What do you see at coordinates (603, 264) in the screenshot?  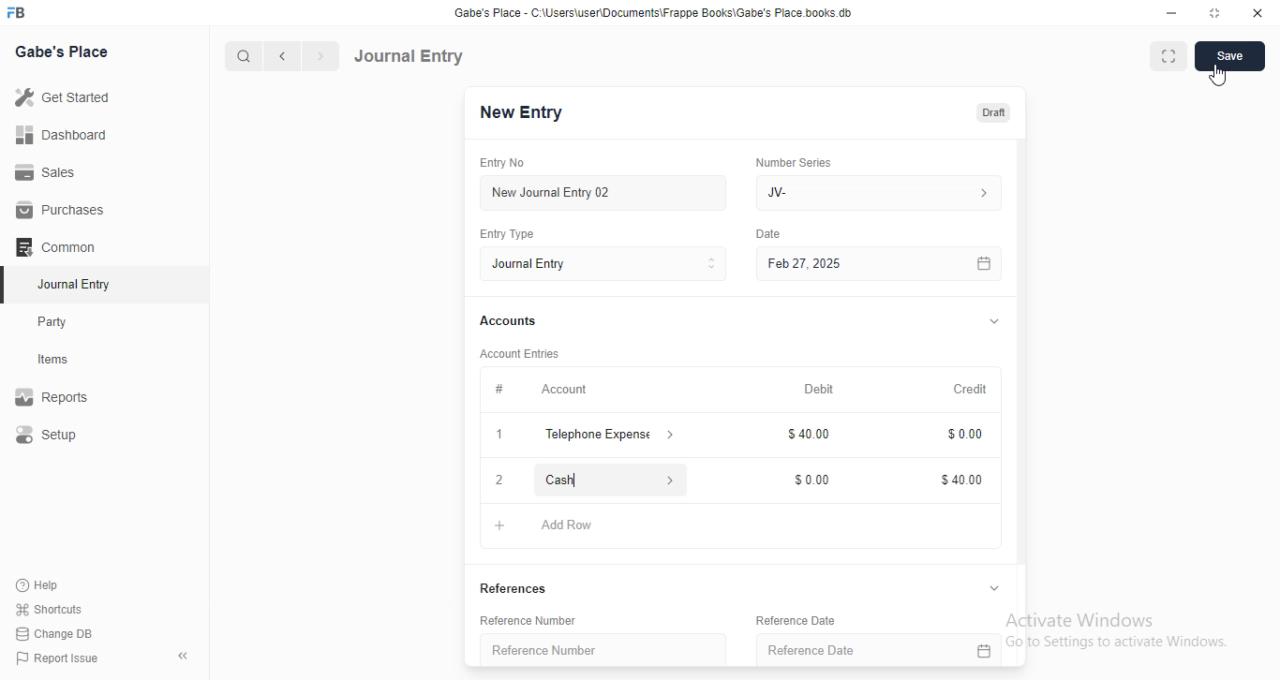 I see `Journal Entry` at bounding box center [603, 264].